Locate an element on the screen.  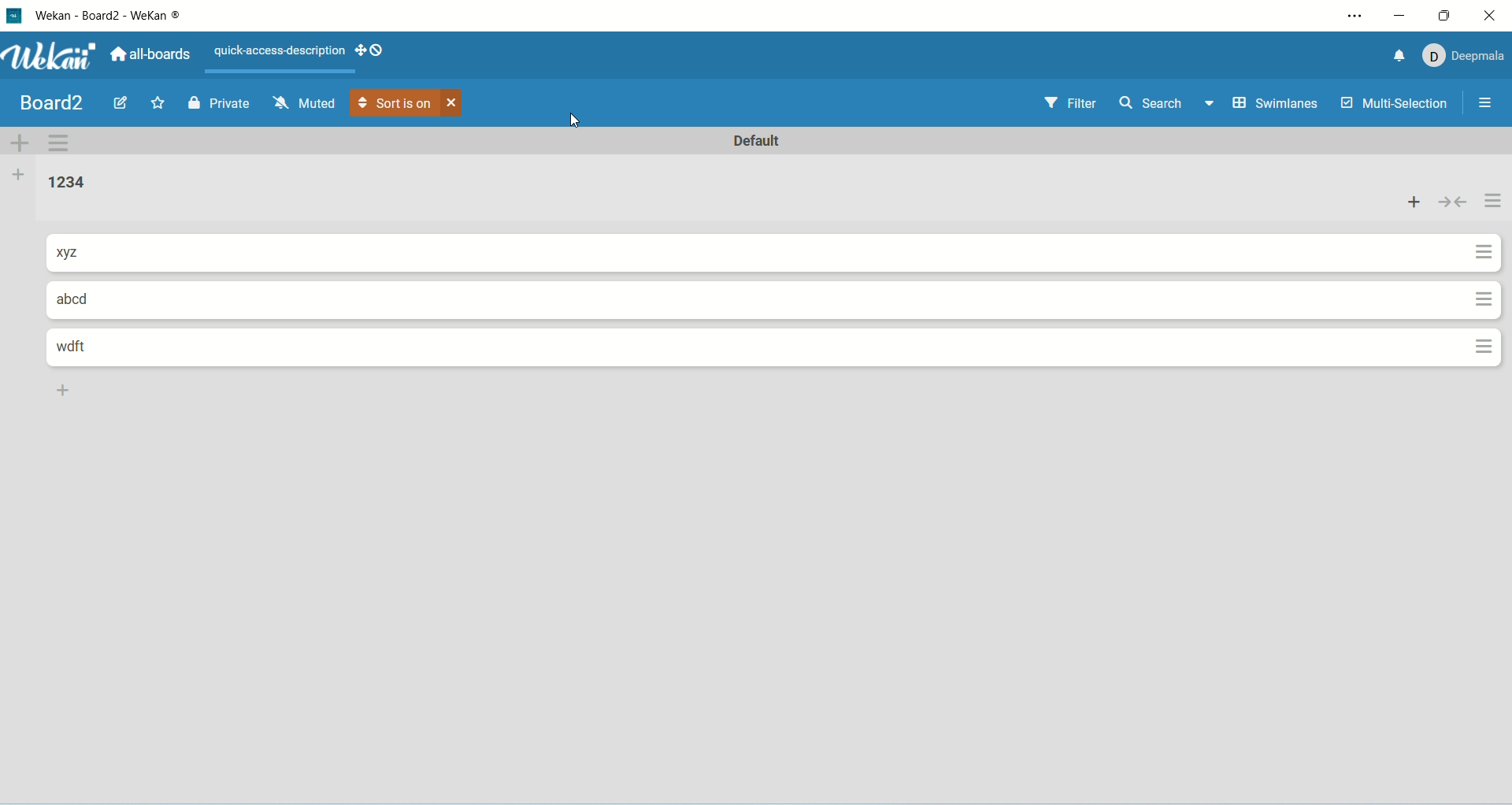
minimize is located at coordinates (1399, 14).